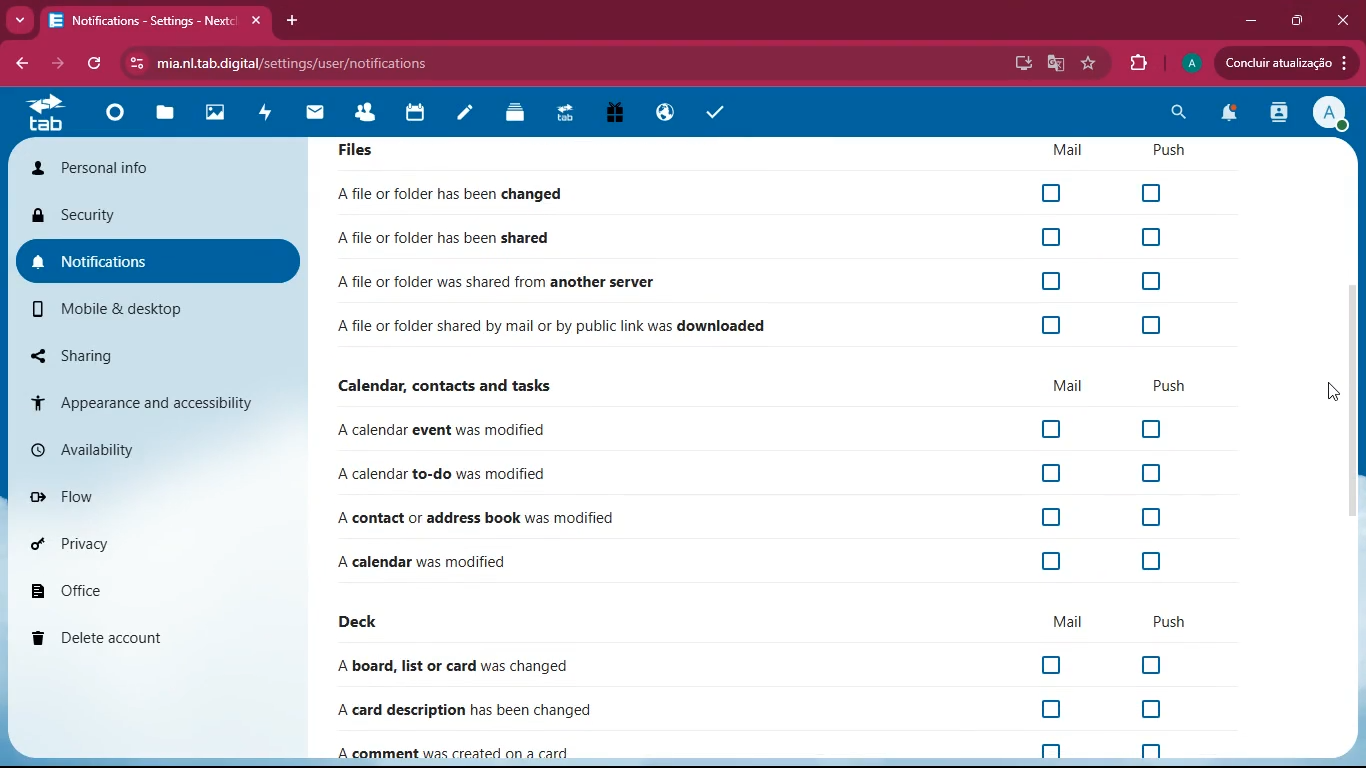  What do you see at coordinates (1051, 193) in the screenshot?
I see `Checkbox` at bounding box center [1051, 193].